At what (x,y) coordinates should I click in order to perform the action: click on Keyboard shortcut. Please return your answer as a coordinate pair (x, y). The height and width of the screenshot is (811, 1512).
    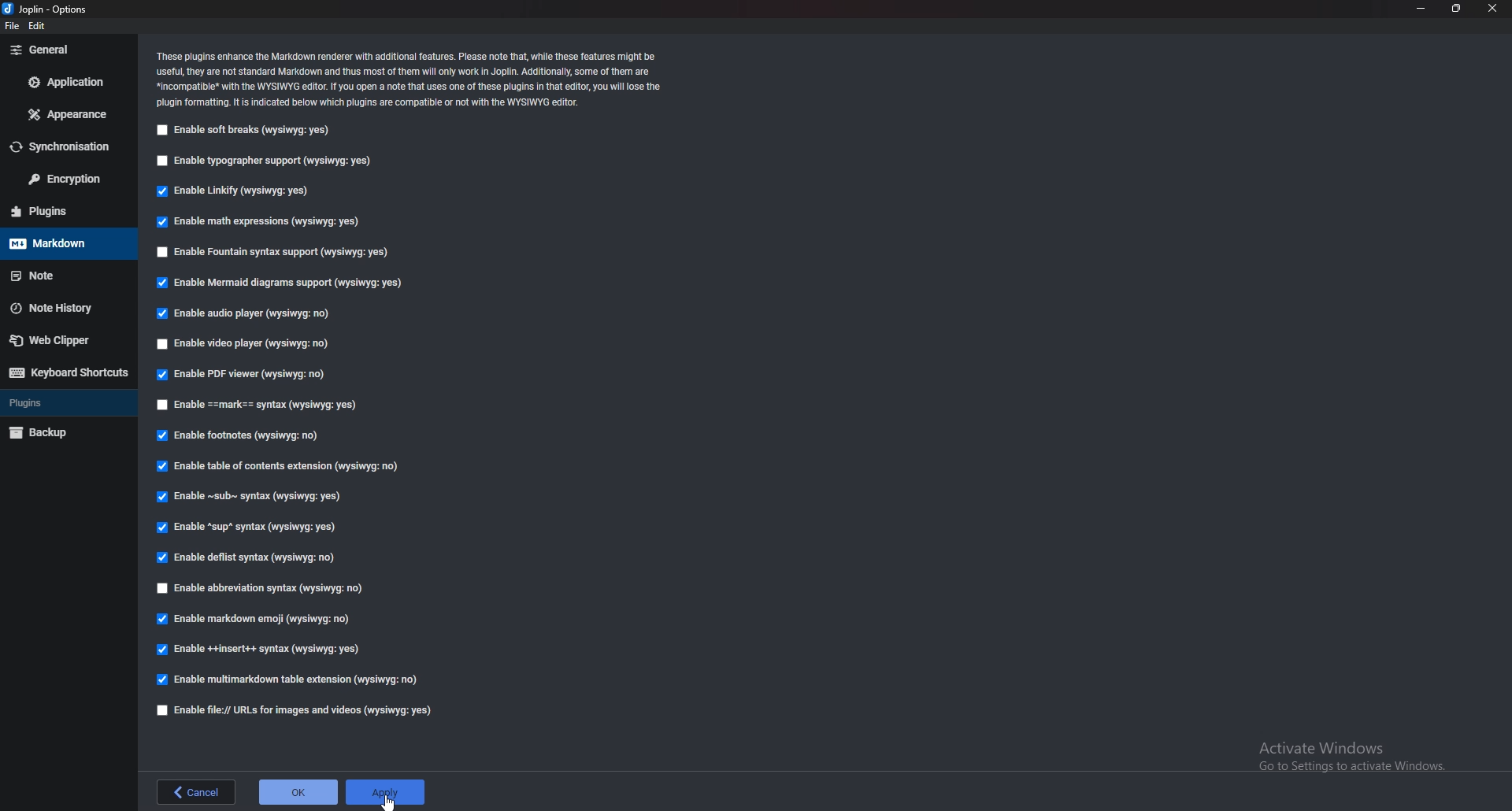
    Looking at the image, I should click on (68, 373).